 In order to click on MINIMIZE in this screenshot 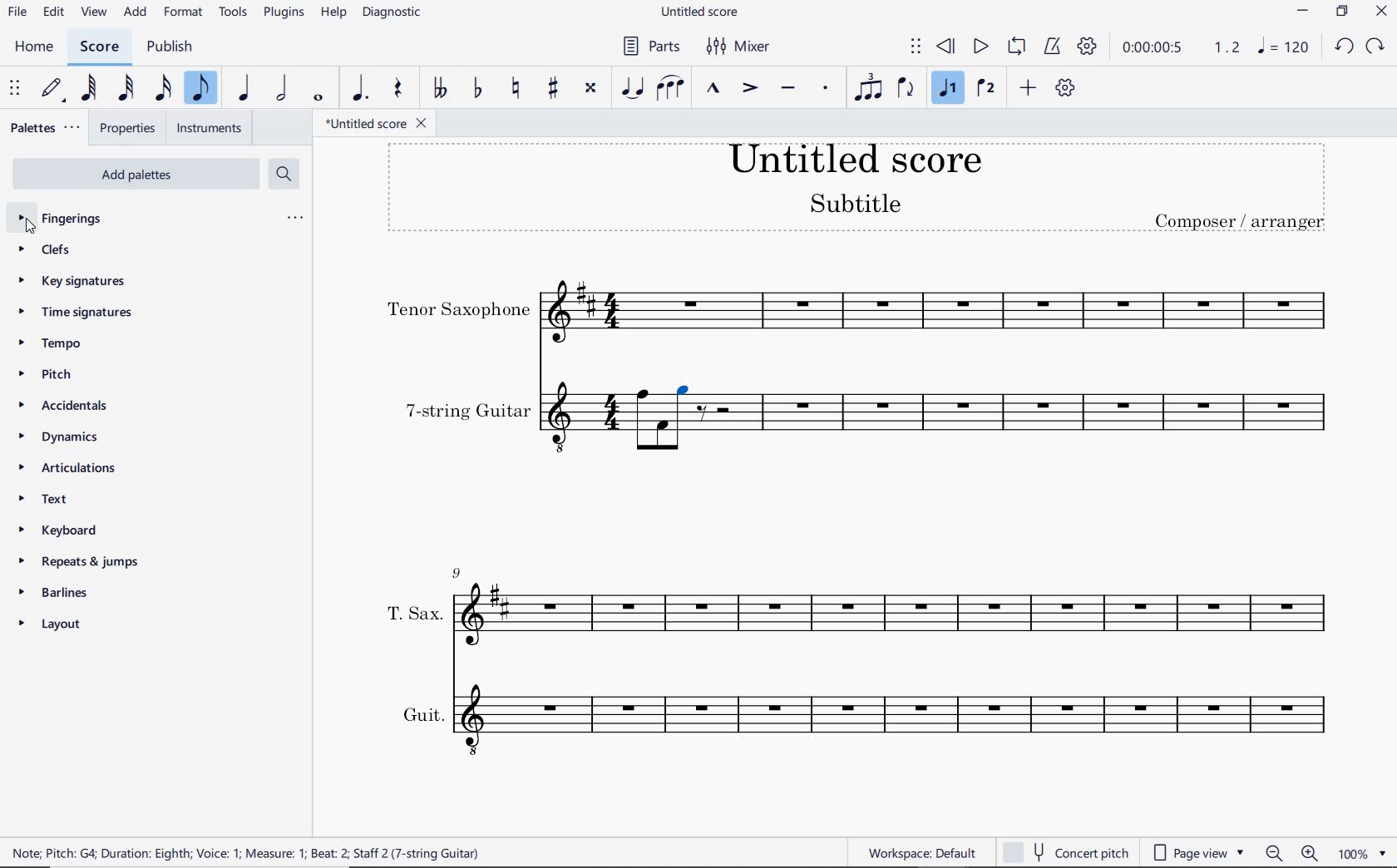, I will do `click(1303, 13)`.